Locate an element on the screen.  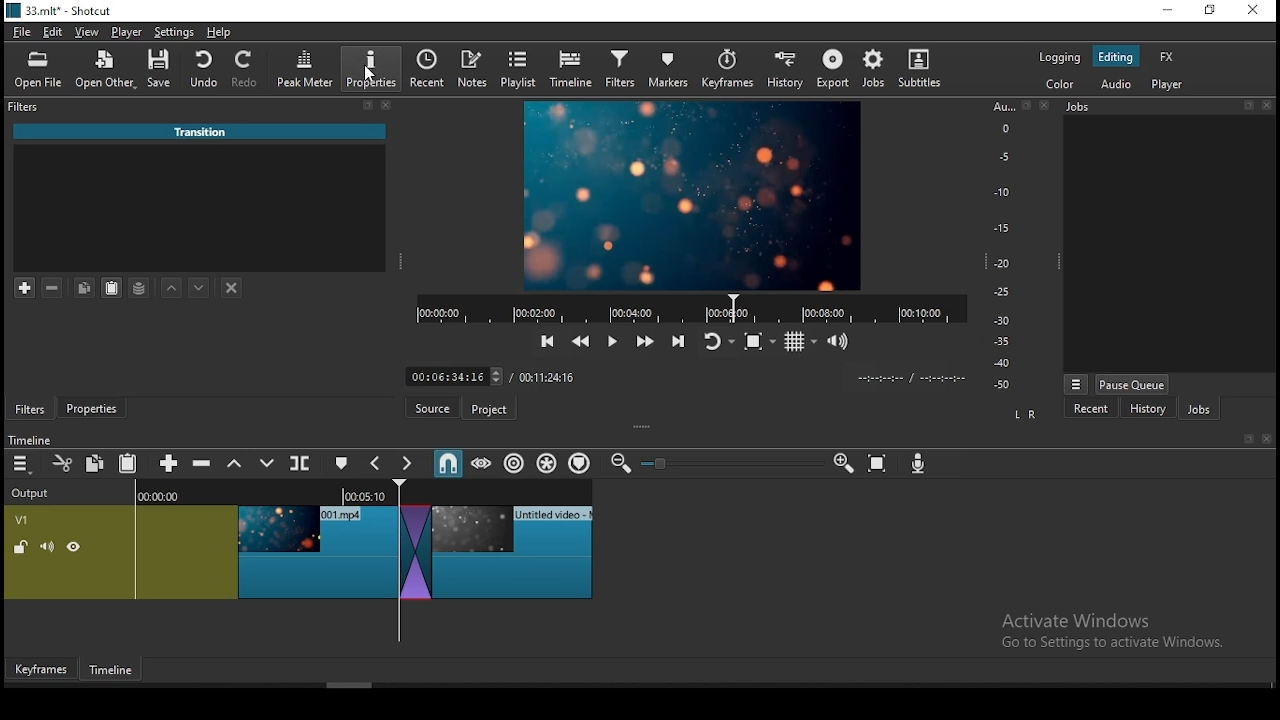
remove selected filters is located at coordinates (58, 289).